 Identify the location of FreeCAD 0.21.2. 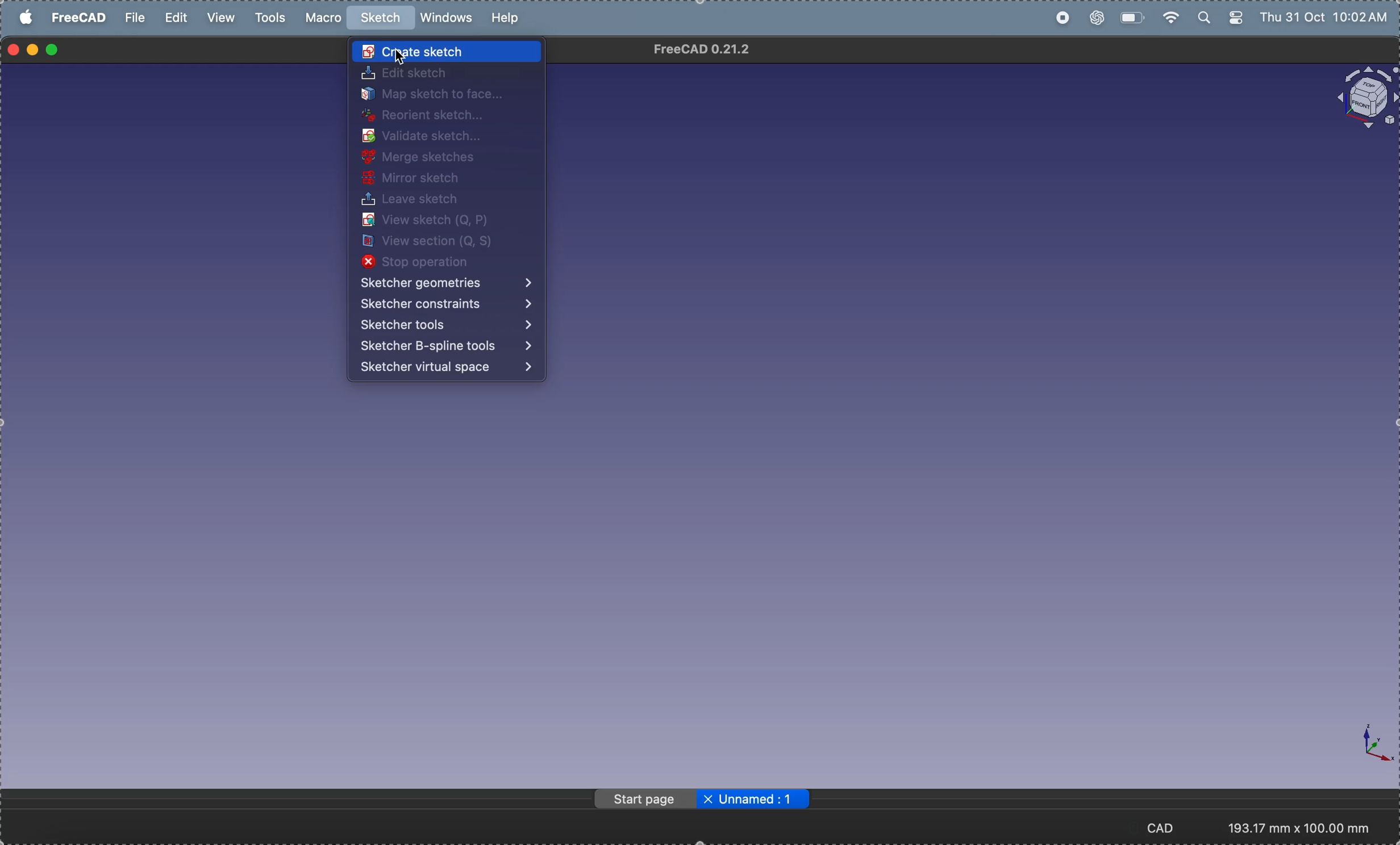
(703, 49).